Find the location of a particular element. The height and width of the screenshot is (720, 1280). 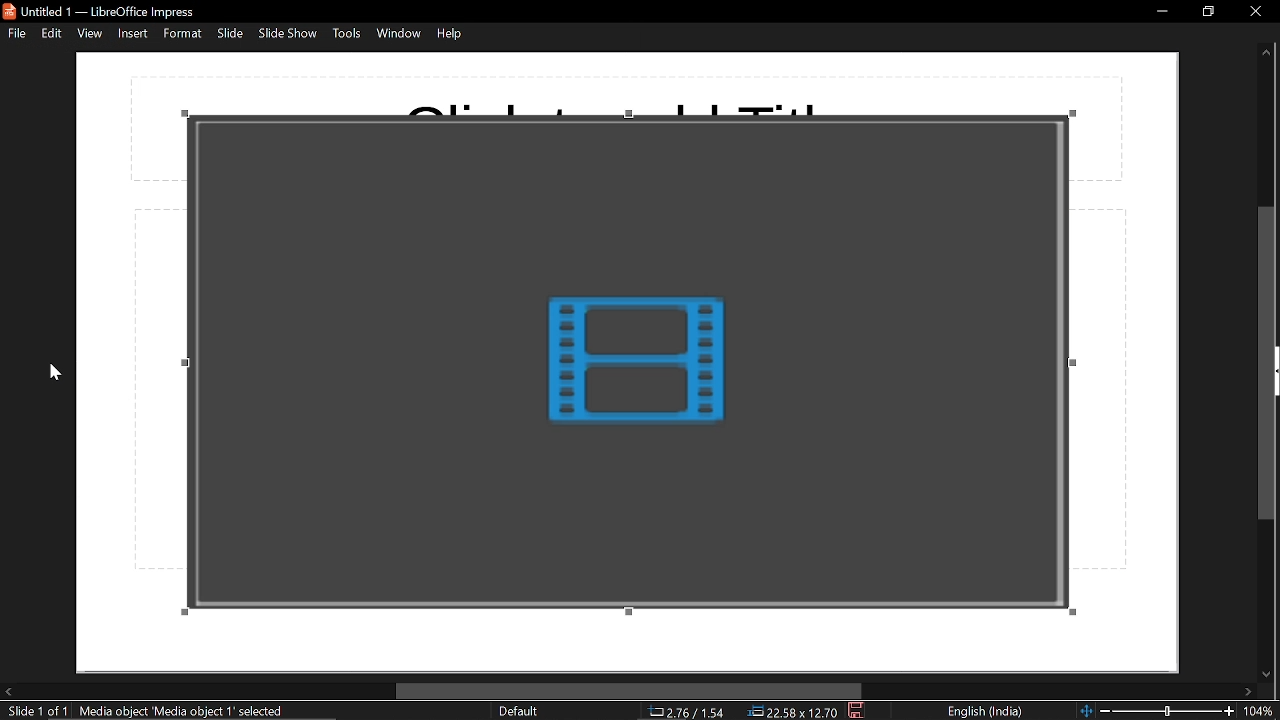

insert is located at coordinates (132, 33).